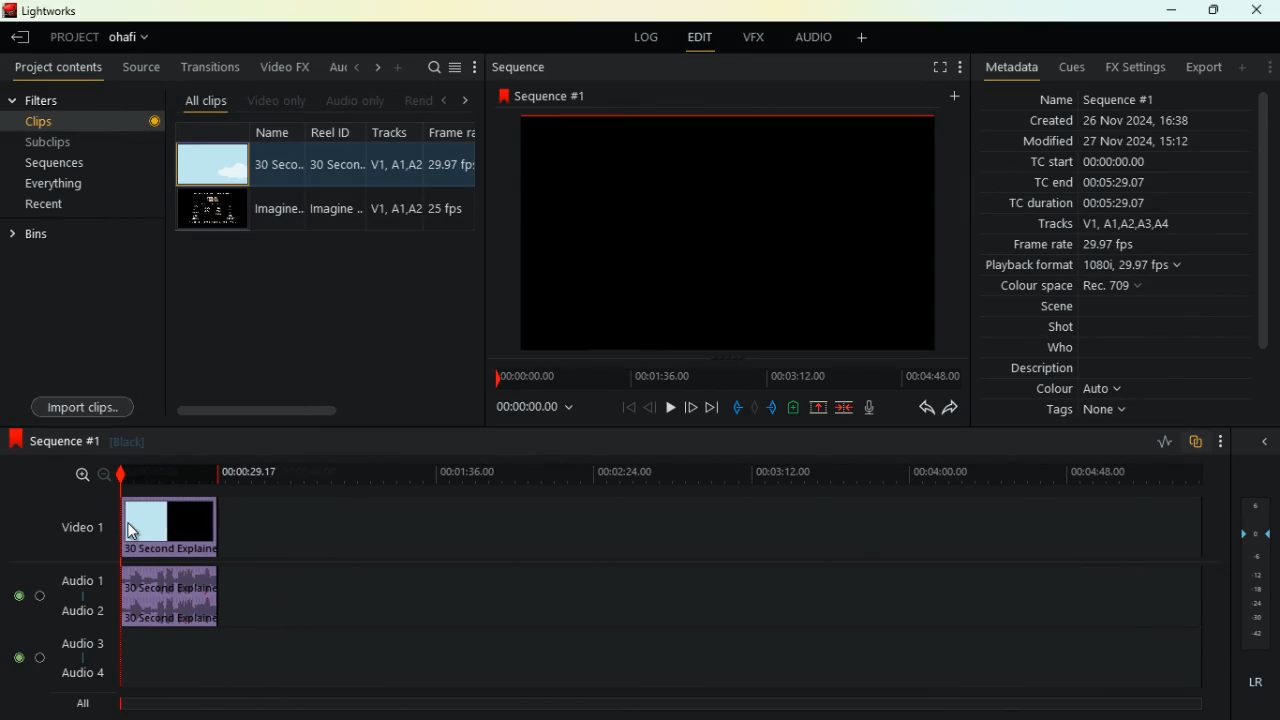 This screenshot has height=720, width=1280. I want to click on everything, so click(56, 184).